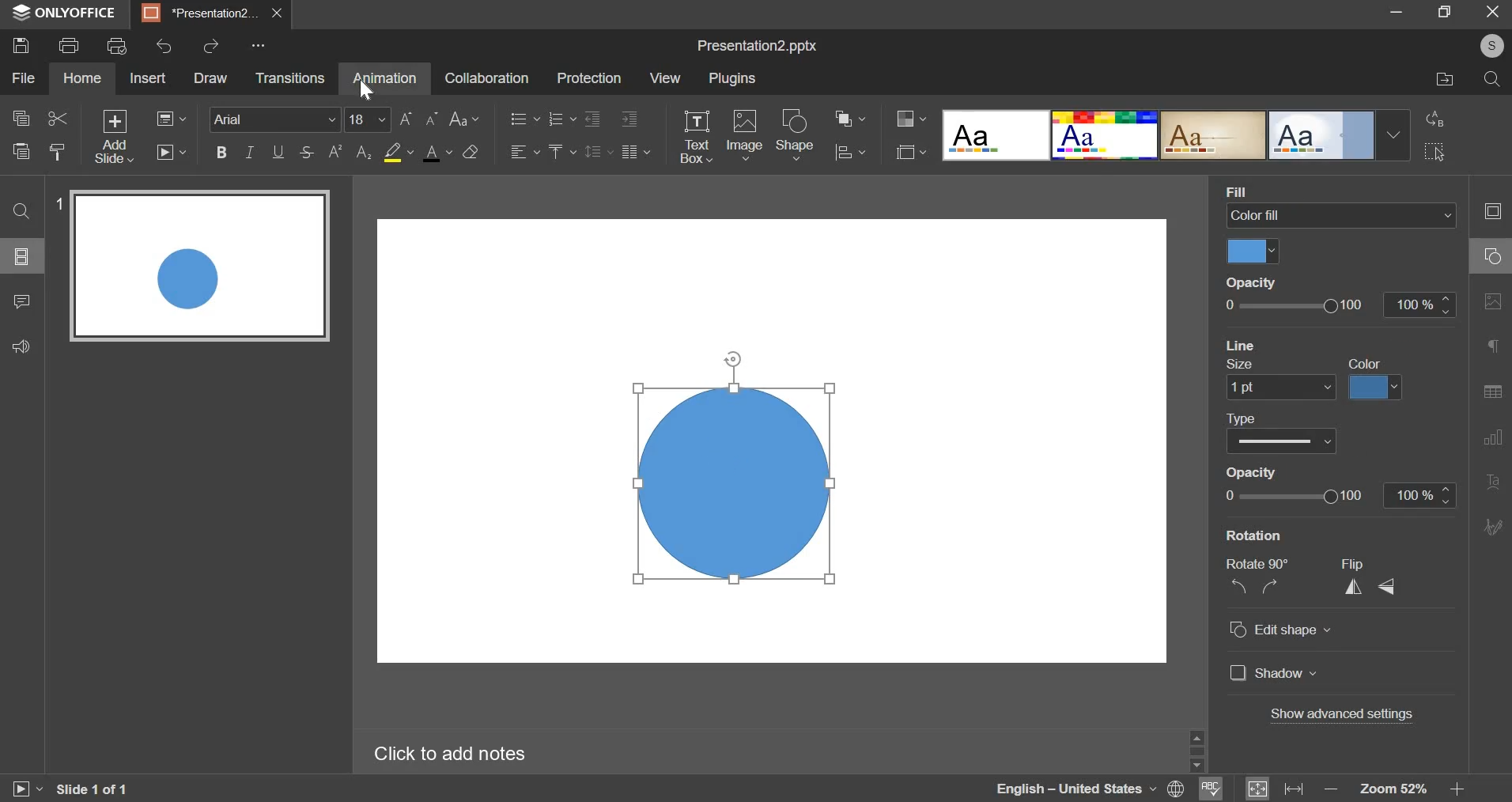 The width and height of the screenshot is (1512, 802). I want to click on line color, so click(1376, 387).